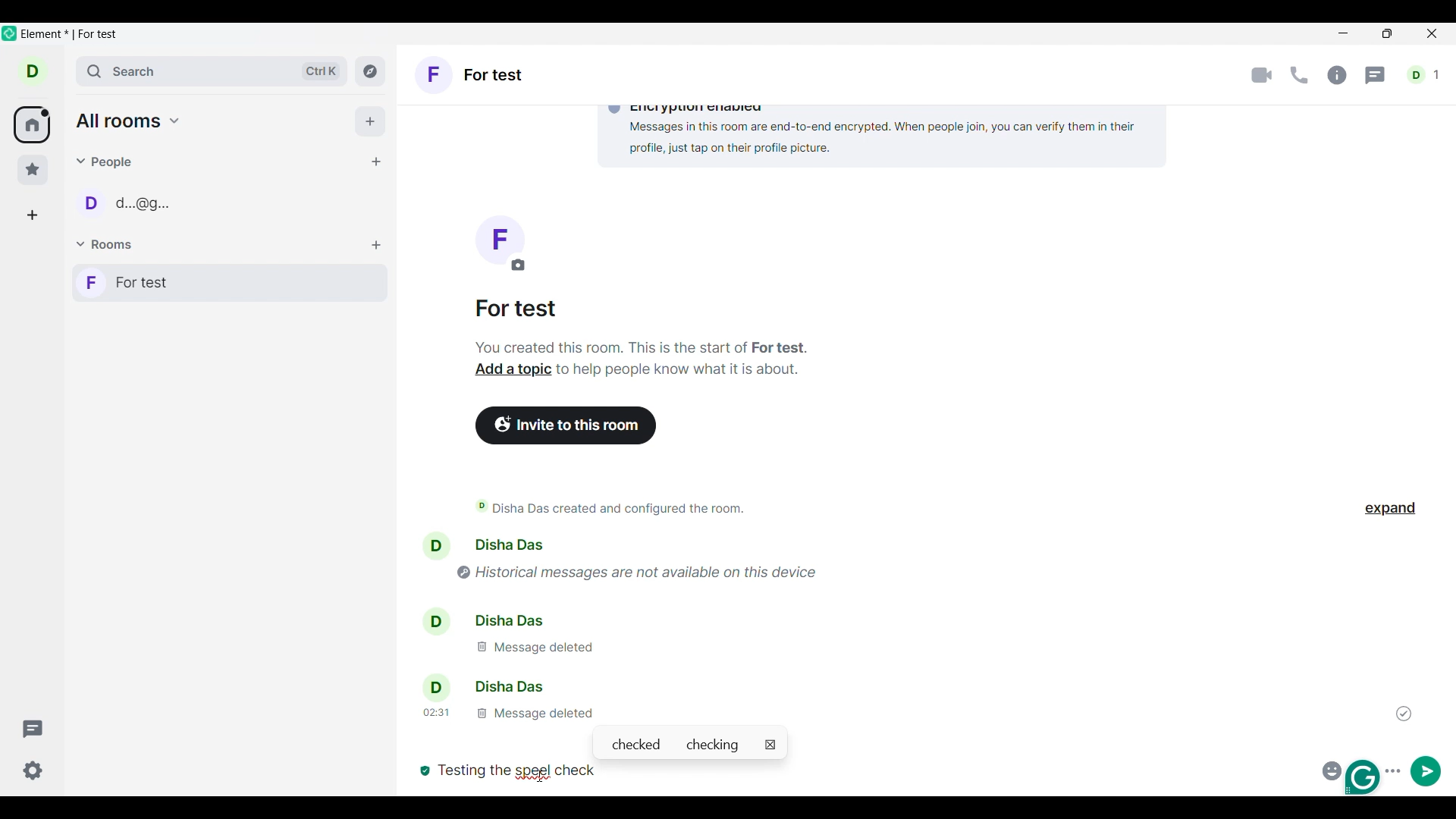 Image resolution: width=1456 pixels, height=819 pixels. I want to click on Create a space, so click(32, 215).